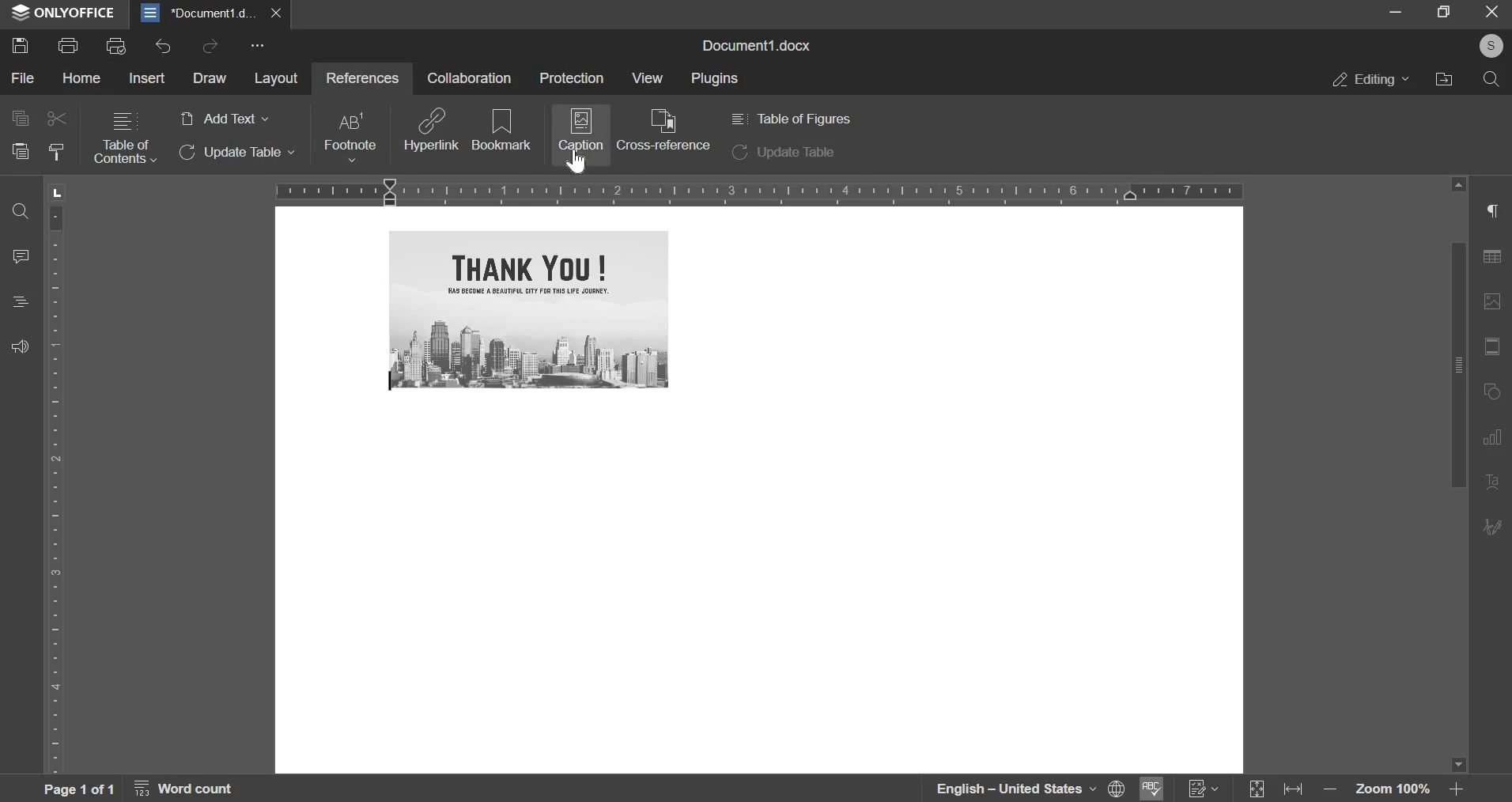 This screenshot has height=802, width=1512. Describe the element at coordinates (1204, 789) in the screenshot. I see `Track Changes` at that location.